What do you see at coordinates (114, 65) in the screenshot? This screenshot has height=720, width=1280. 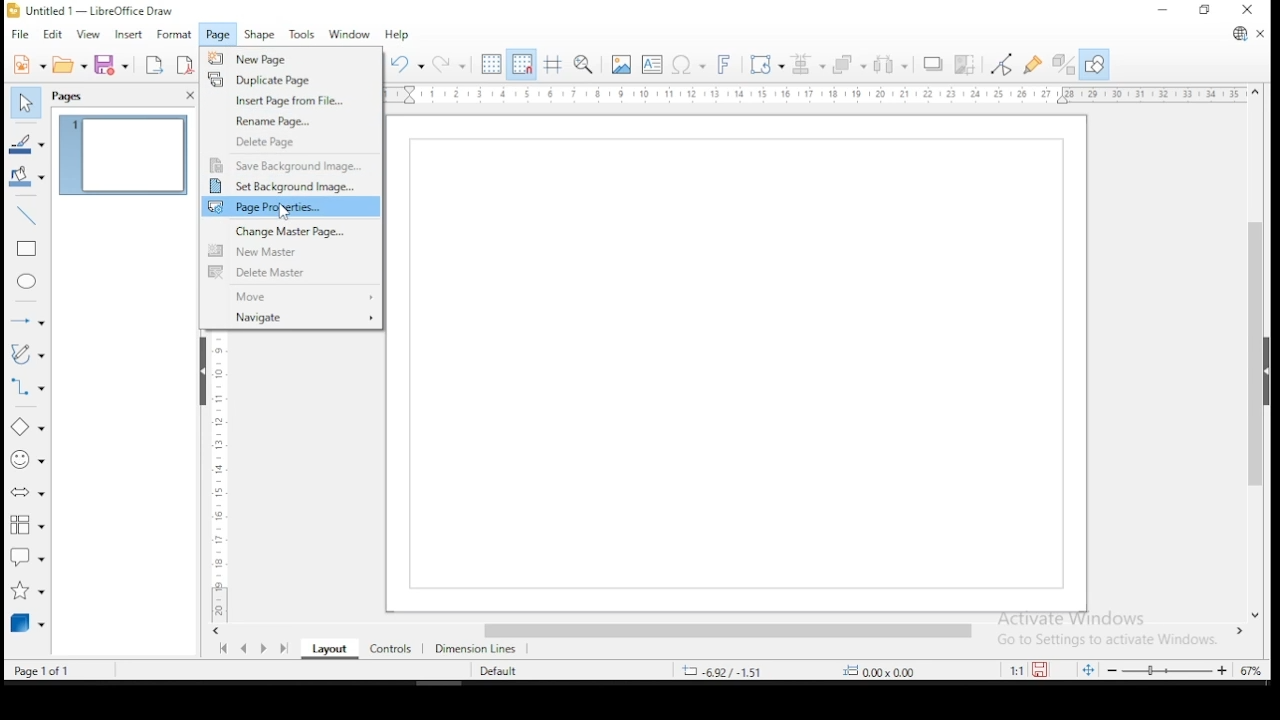 I see `save` at bounding box center [114, 65].